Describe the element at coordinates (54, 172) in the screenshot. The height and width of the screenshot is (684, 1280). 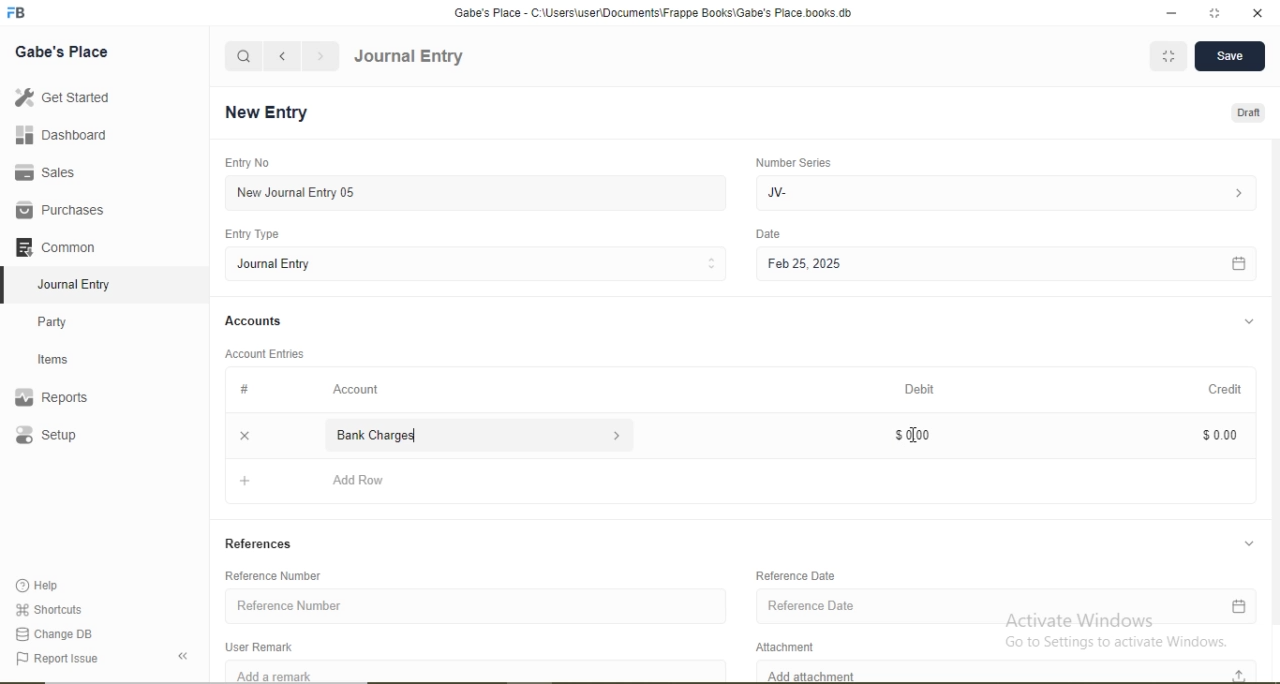
I see `Sales` at that location.